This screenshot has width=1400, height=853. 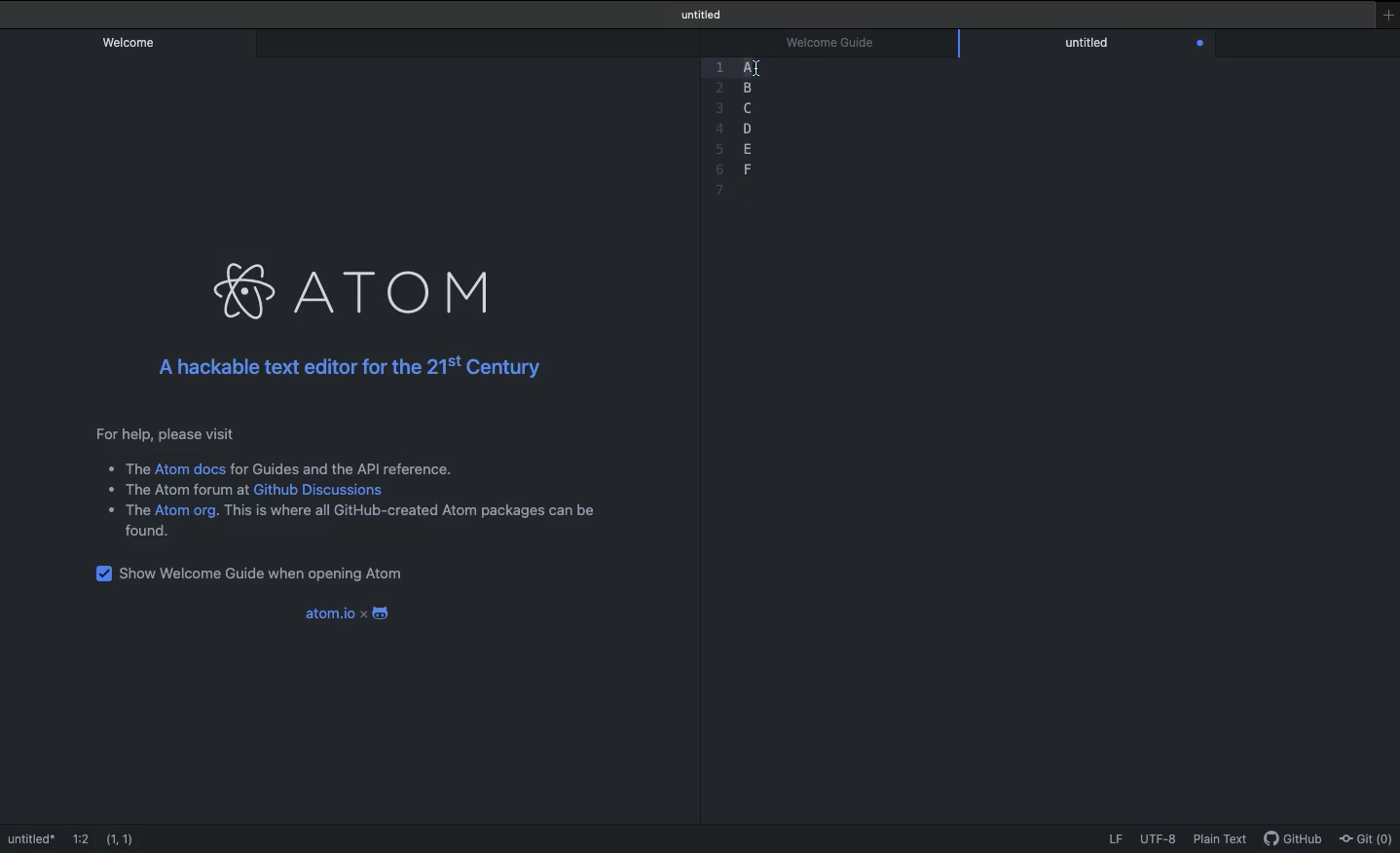 I want to click on Atom, so click(x=360, y=284).